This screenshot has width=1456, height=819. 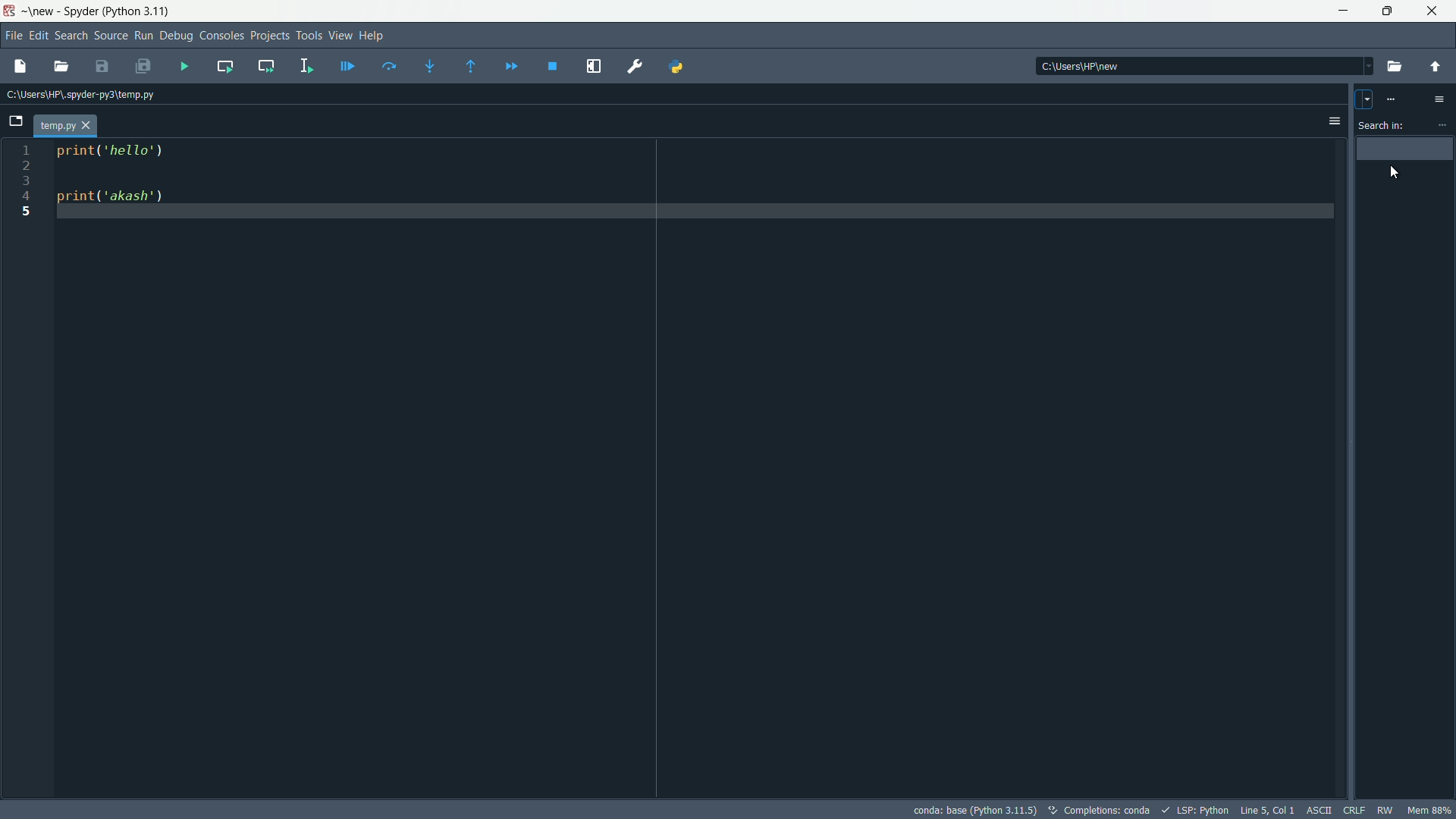 What do you see at coordinates (1353, 808) in the screenshot?
I see `CRLF` at bounding box center [1353, 808].